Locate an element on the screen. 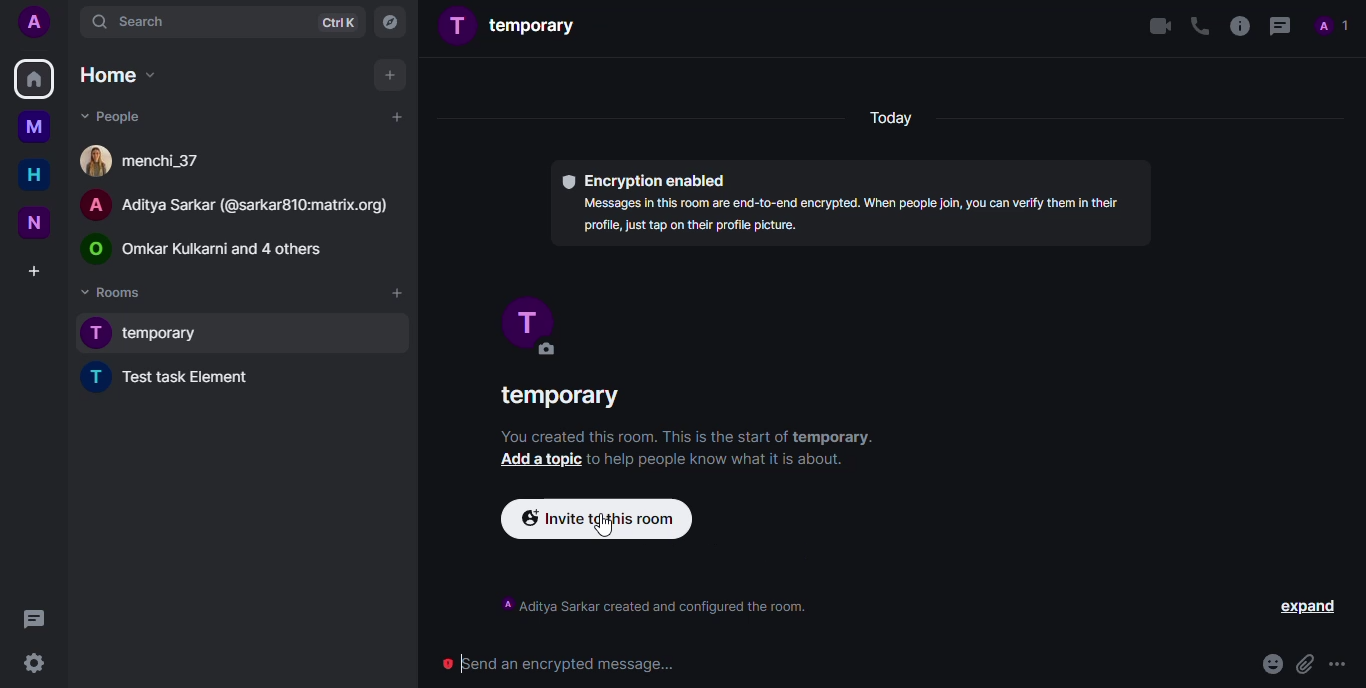 The width and height of the screenshot is (1366, 688). expand is located at coordinates (1305, 607).